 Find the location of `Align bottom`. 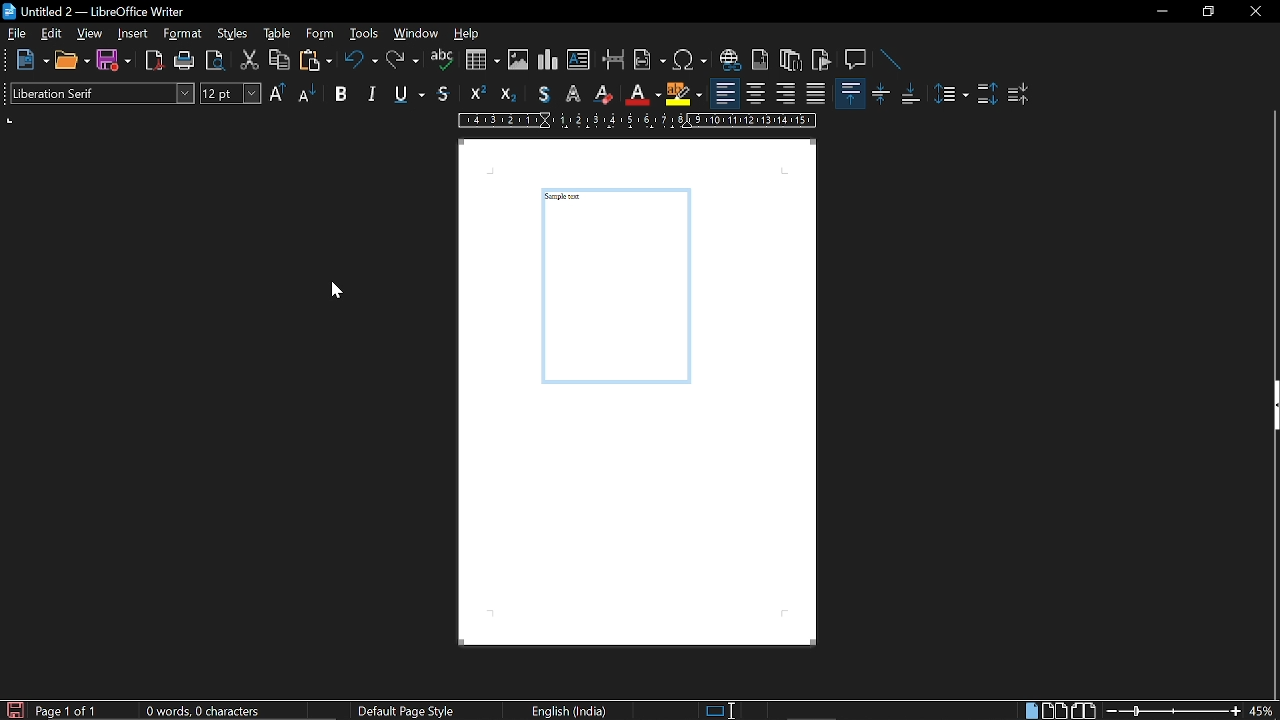

Align bottom is located at coordinates (913, 92).